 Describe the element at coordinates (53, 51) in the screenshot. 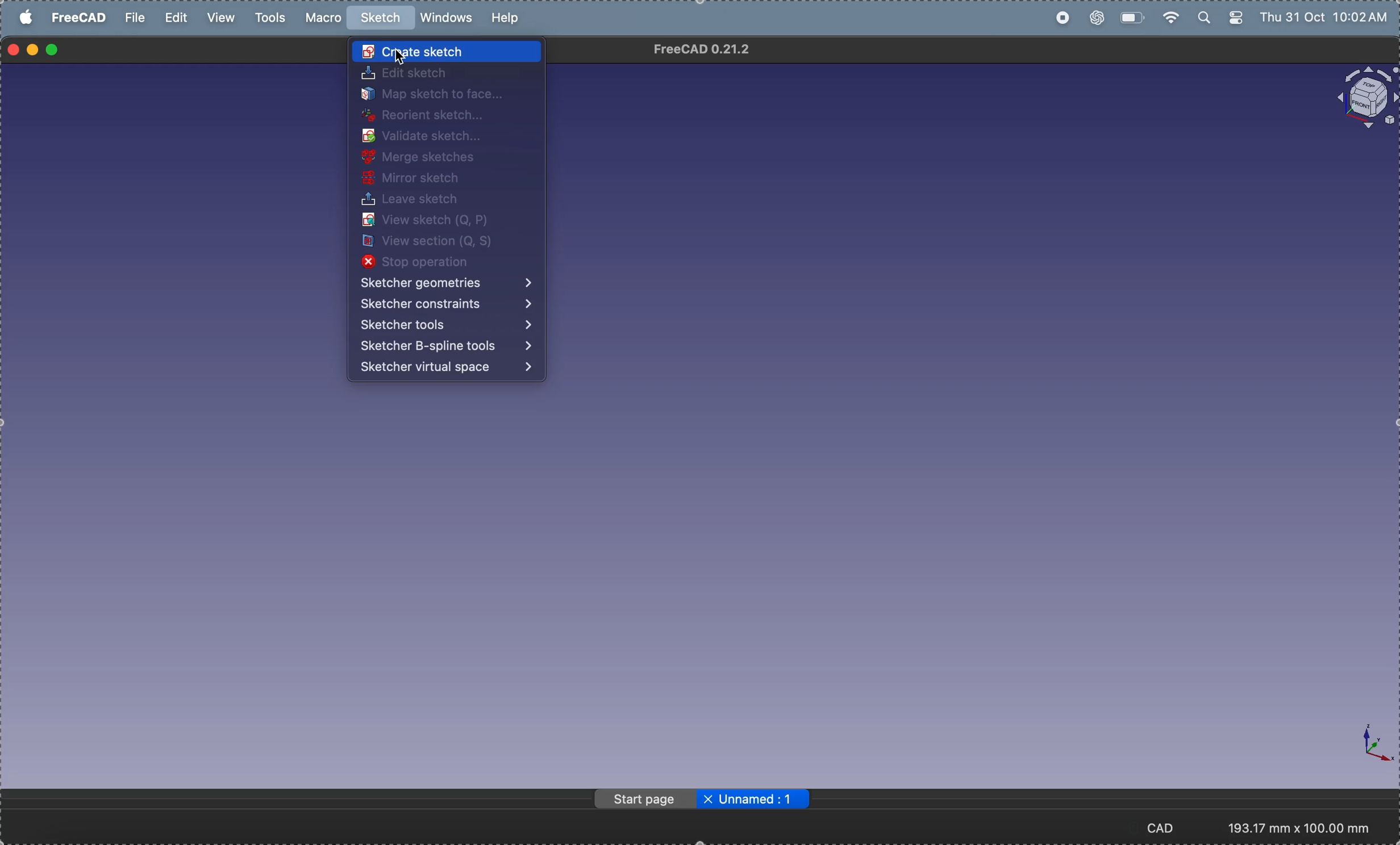

I see `maximize` at that location.